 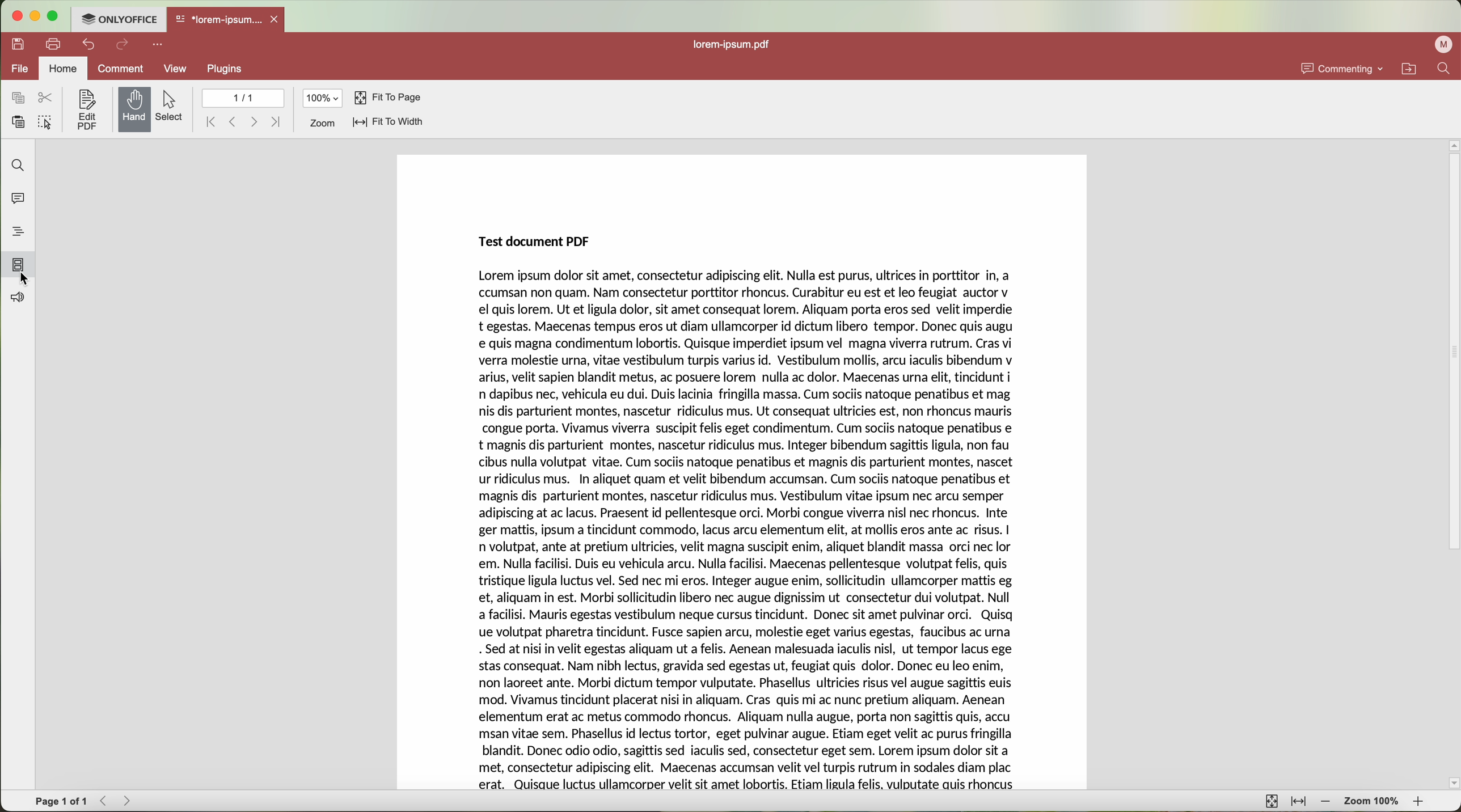 I want to click on Forward, so click(x=128, y=801).